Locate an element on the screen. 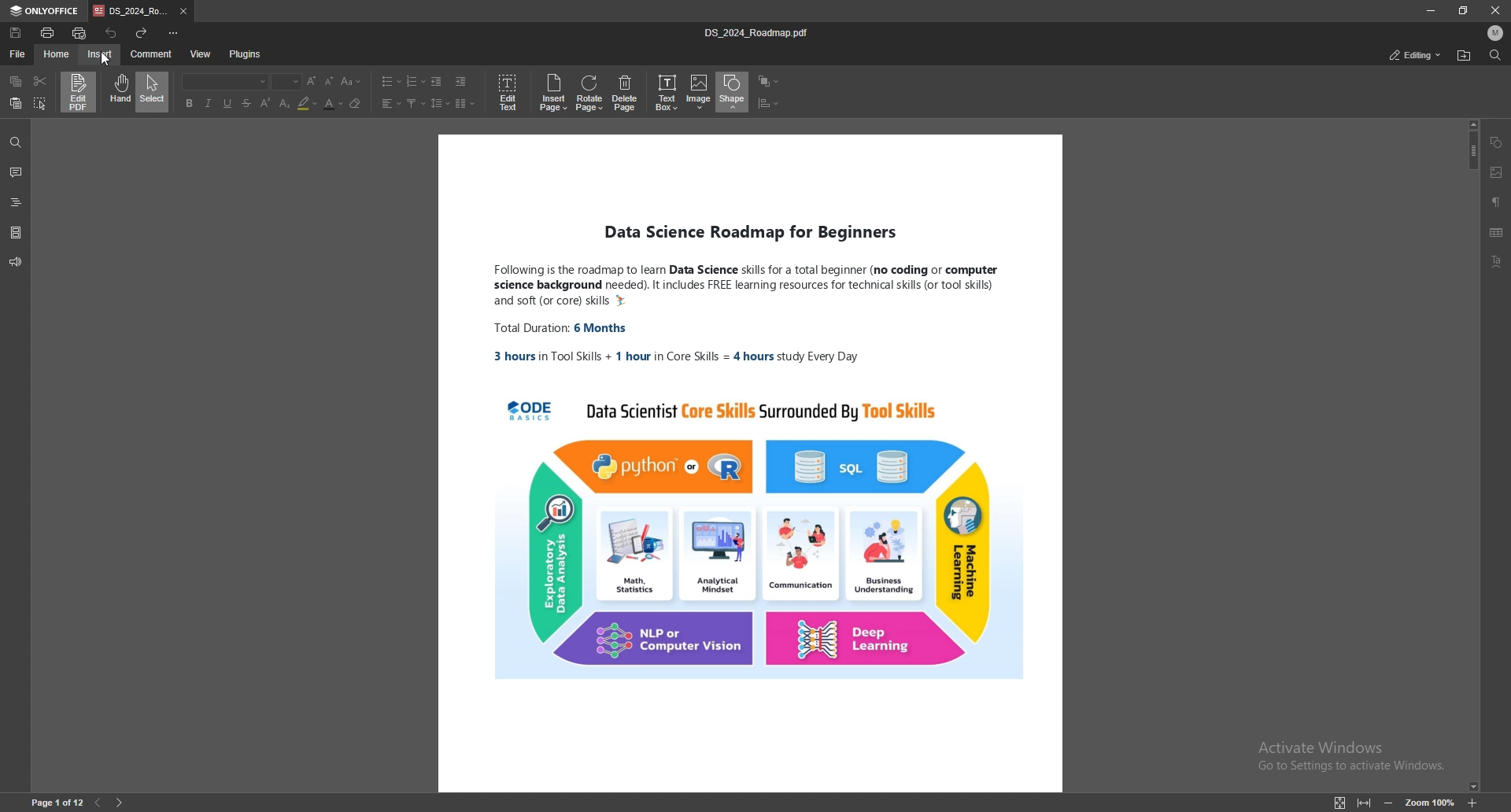  shape is located at coordinates (1498, 142).